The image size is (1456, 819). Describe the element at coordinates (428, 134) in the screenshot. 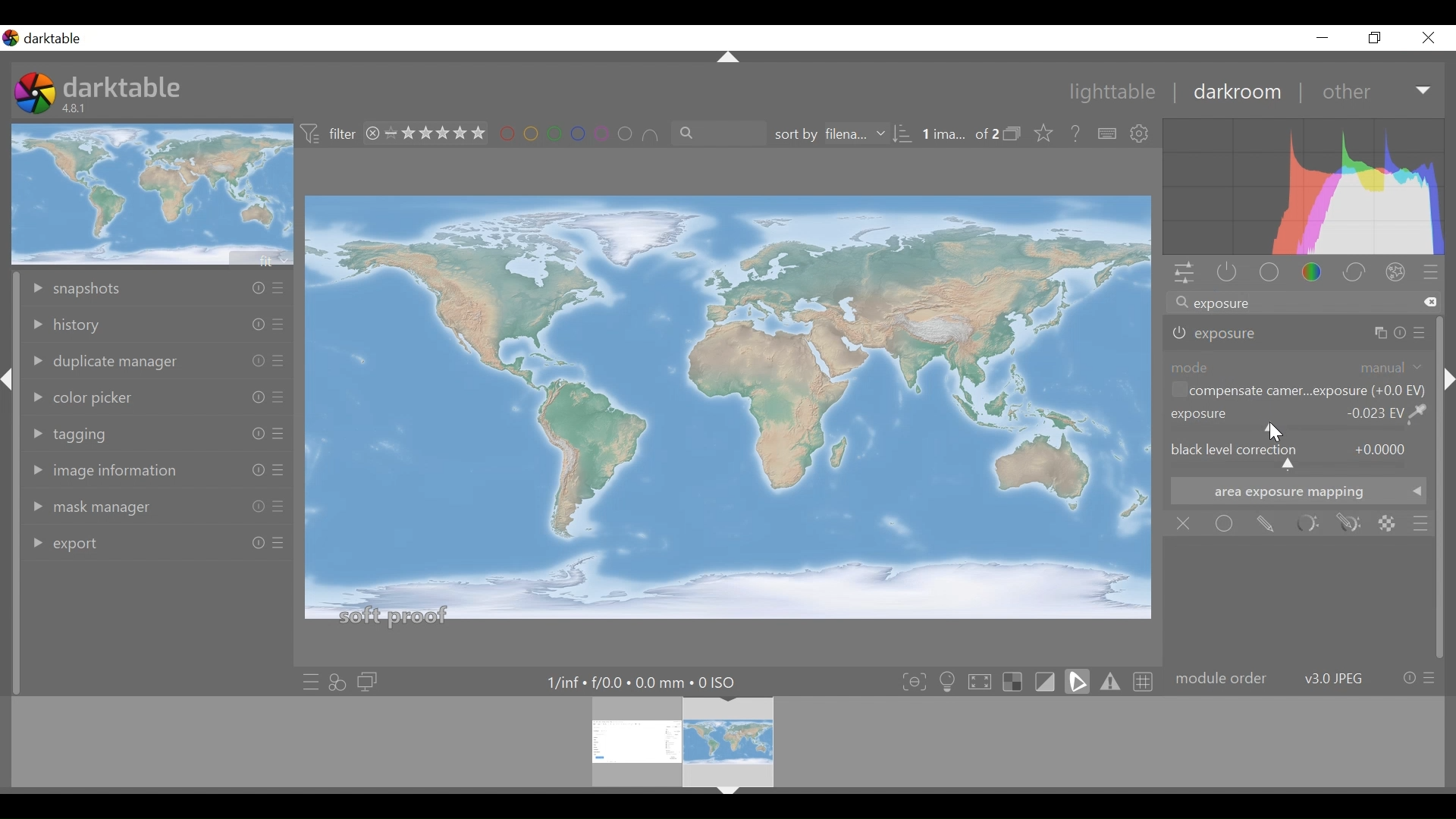

I see `range rating` at that location.